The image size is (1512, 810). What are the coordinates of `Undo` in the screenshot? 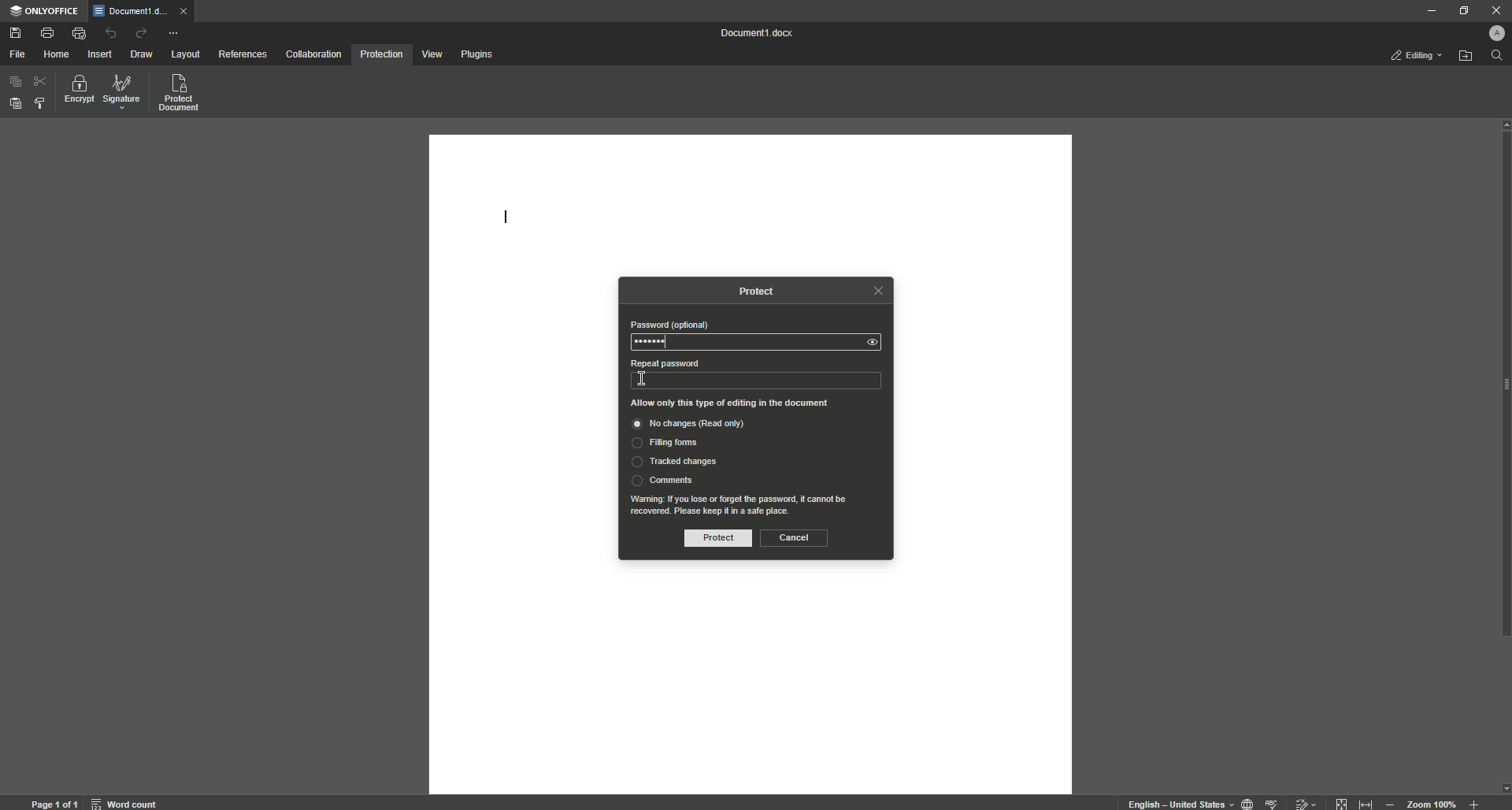 It's located at (111, 34).